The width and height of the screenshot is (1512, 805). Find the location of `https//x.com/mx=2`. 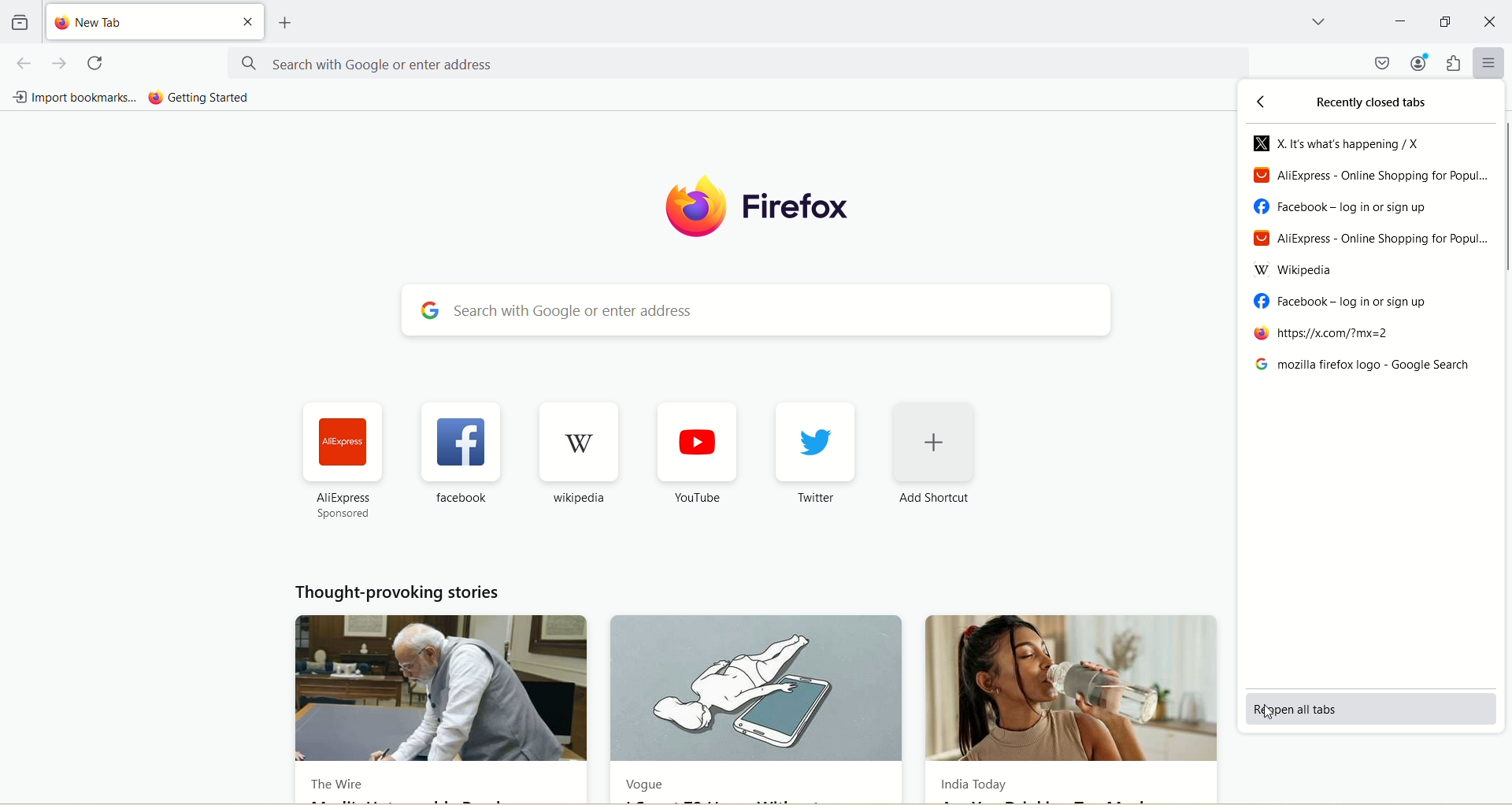

https//x.com/mx=2 is located at coordinates (1376, 334).